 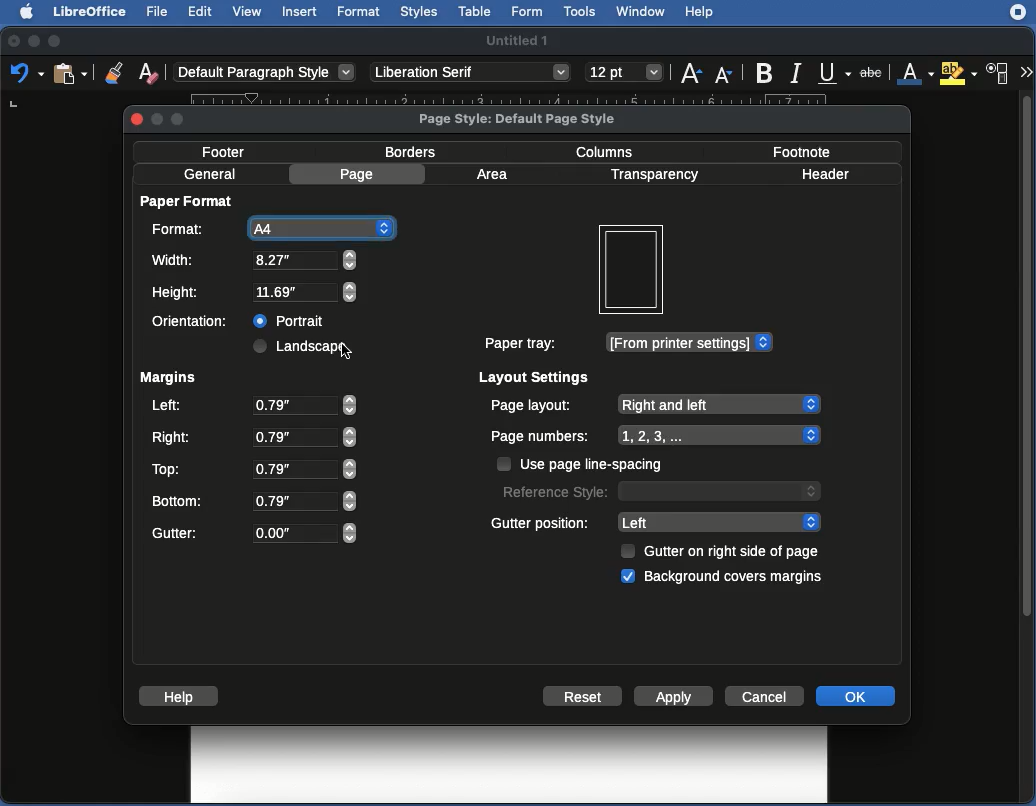 What do you see at coordinates (248, 12) in the screenshot?
I see `View` at bounding box center [248, 12].